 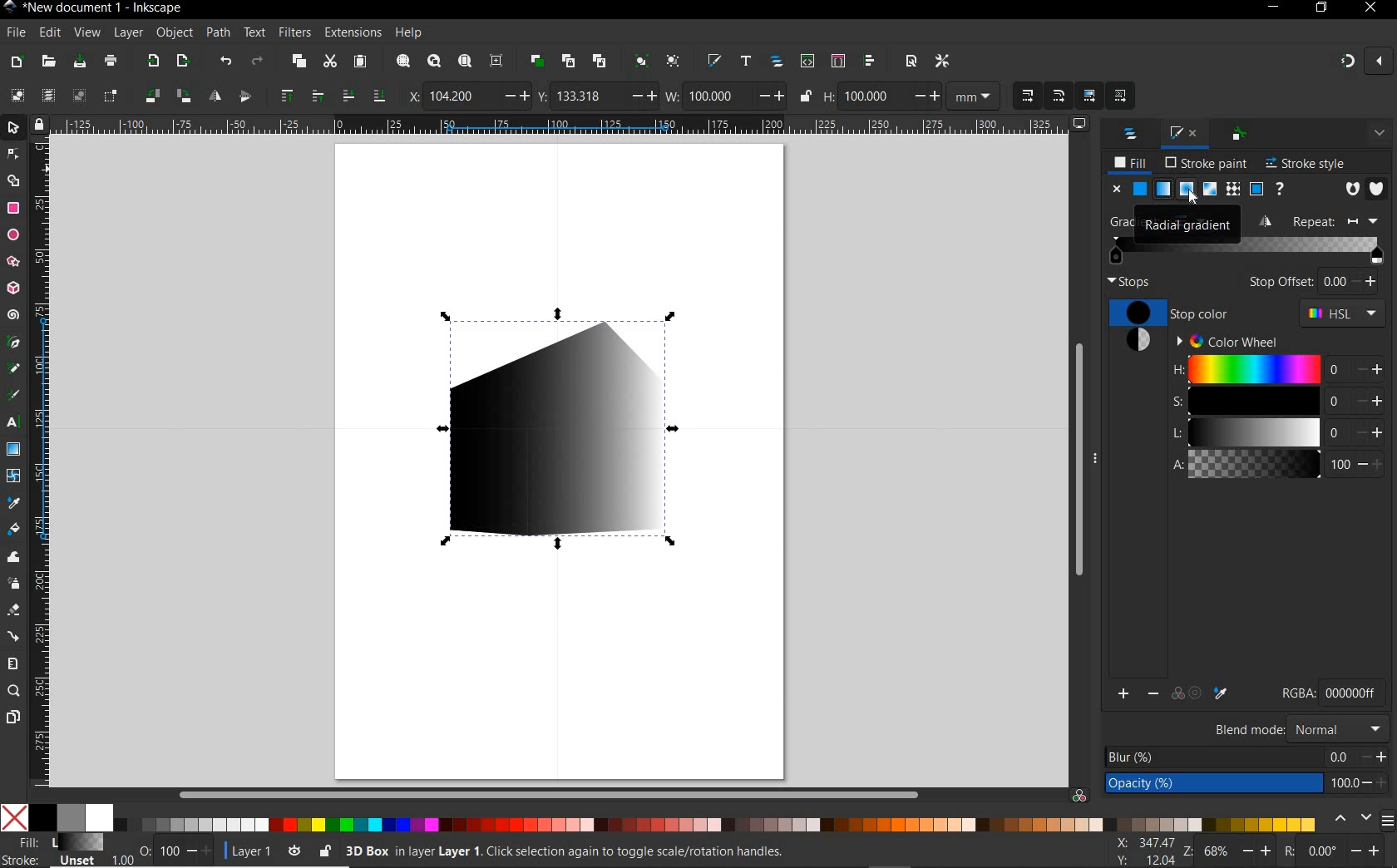 I want to click on ELLIPSE, so click(x=12, y=235).